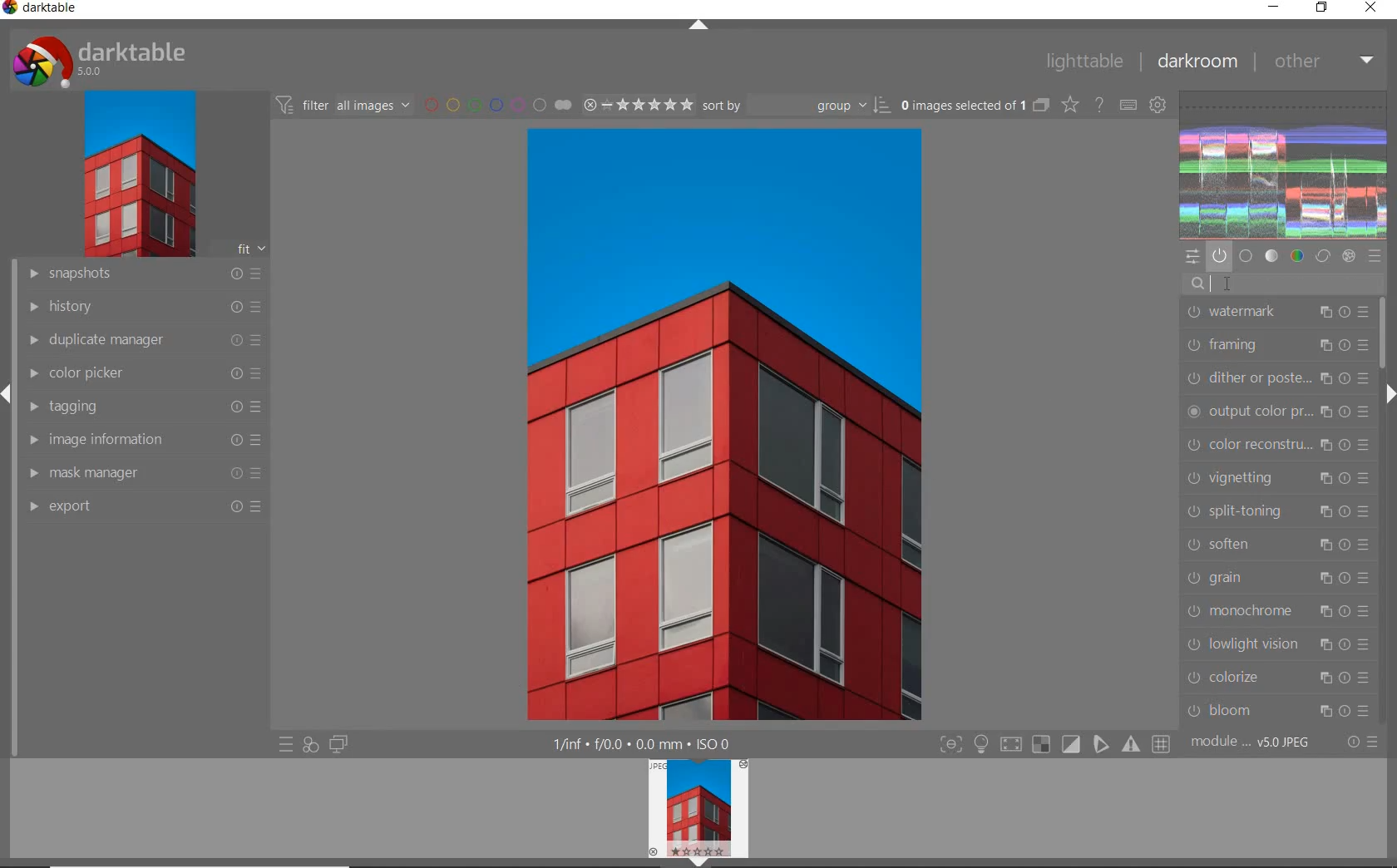 Image resolution: width=1397 pixels, height=868 pixels. I want to click on output color preset, so click(1277, 413).